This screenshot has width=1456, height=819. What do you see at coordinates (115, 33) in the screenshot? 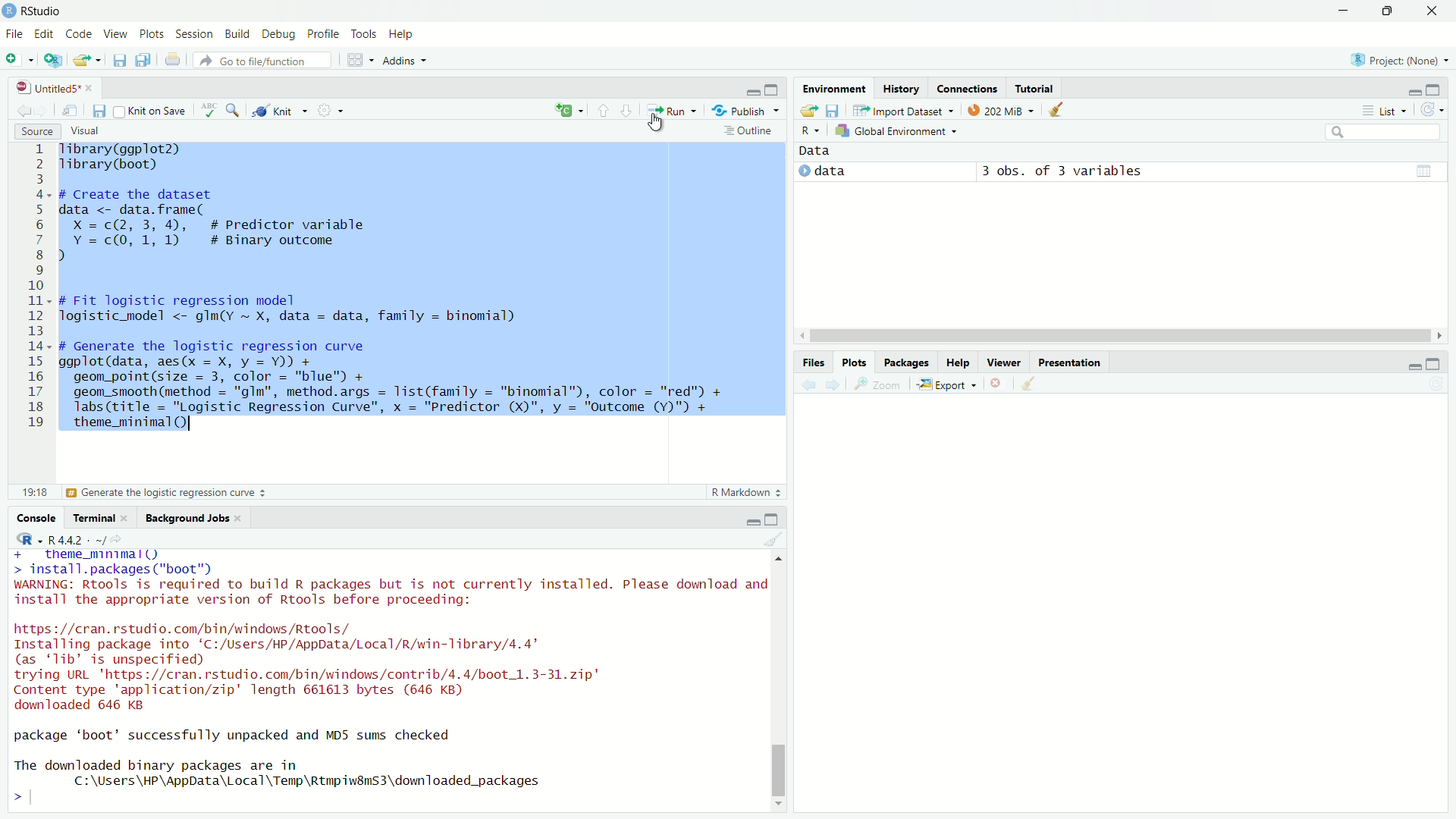
I see `View` at bounding box center [115, 33].